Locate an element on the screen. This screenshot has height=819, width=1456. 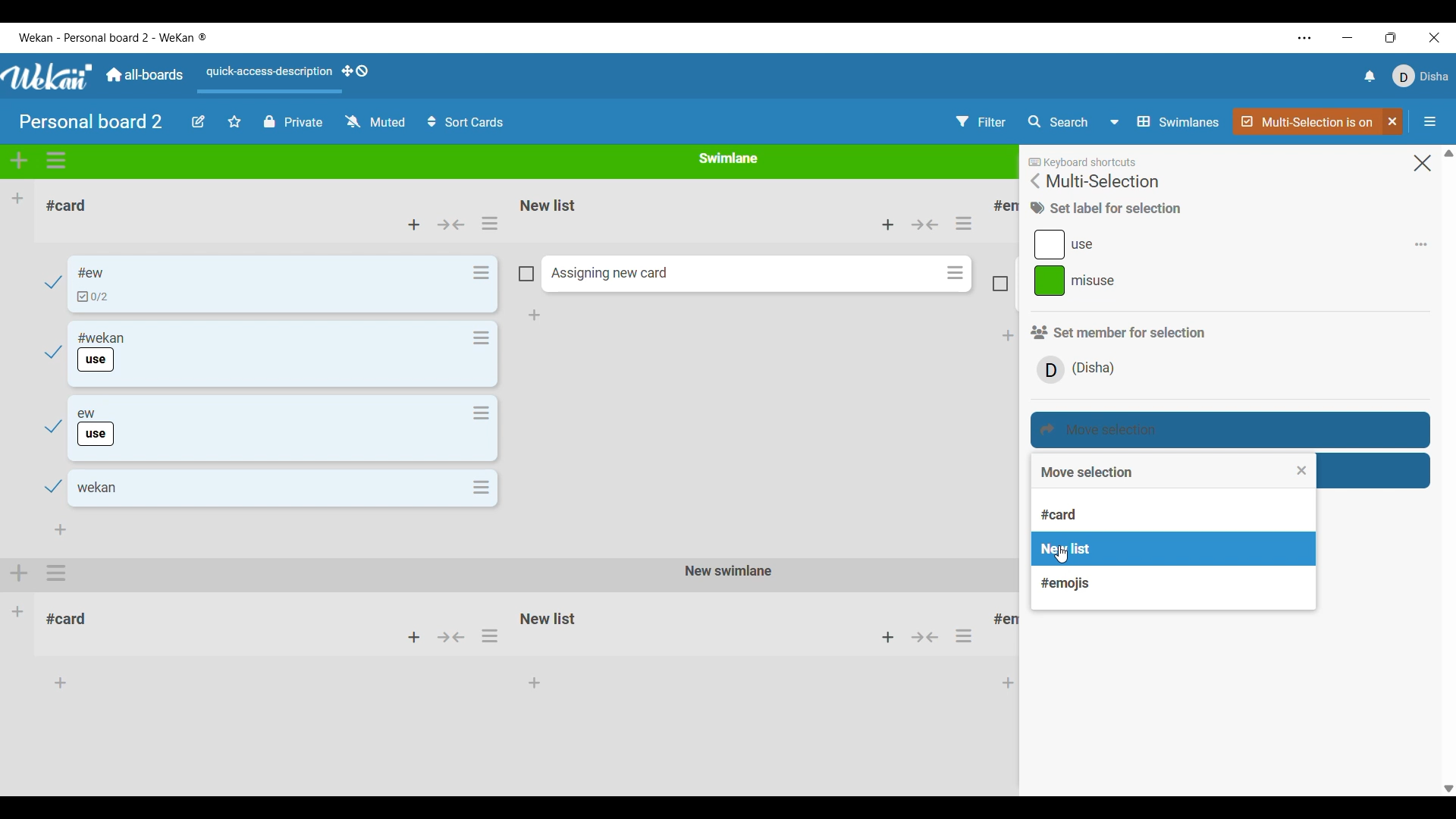
Title of current section is located at coordinates (1106, 208).